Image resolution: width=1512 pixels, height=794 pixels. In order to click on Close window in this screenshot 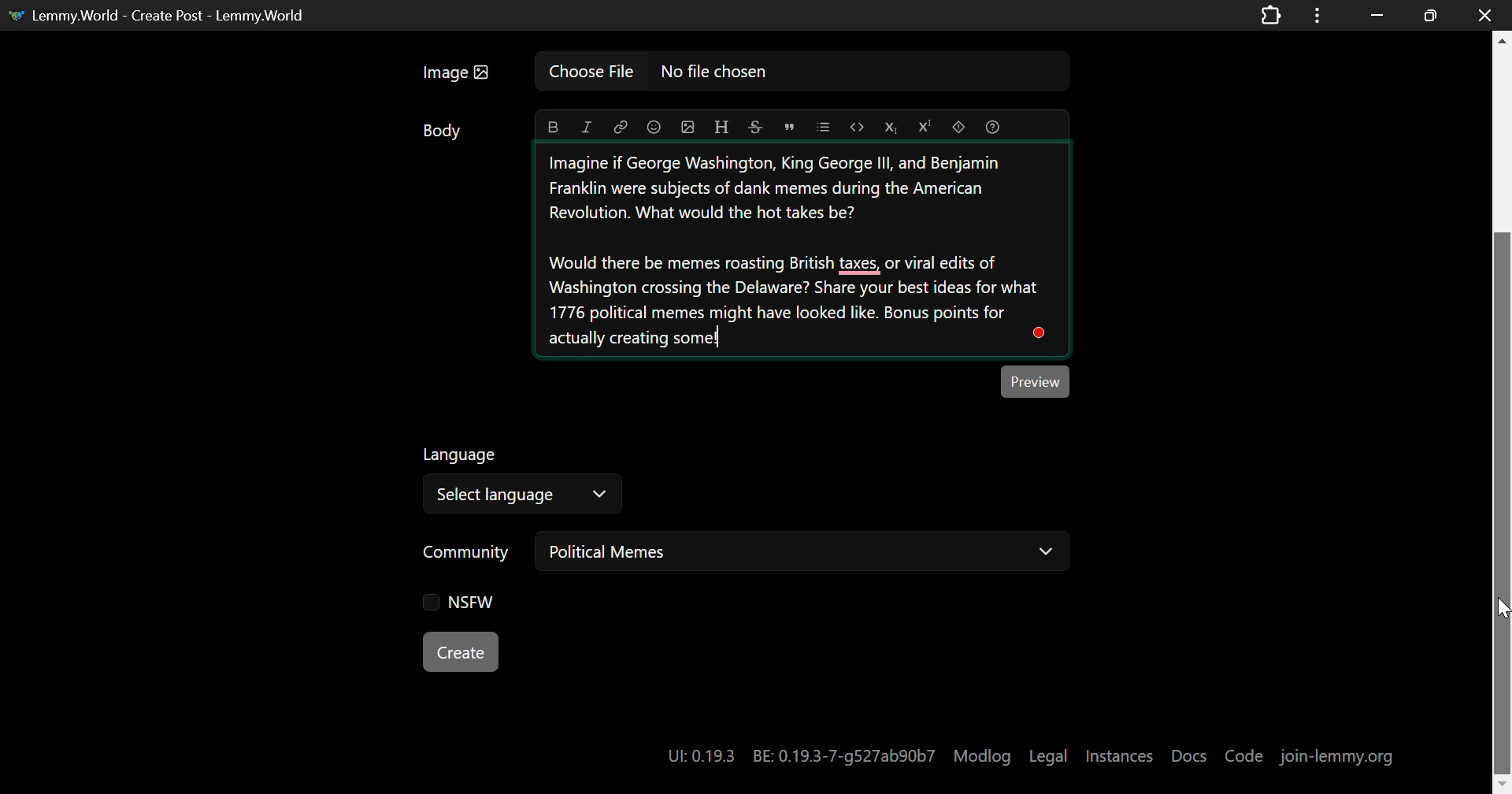, I will do `click(1487, 14)`.